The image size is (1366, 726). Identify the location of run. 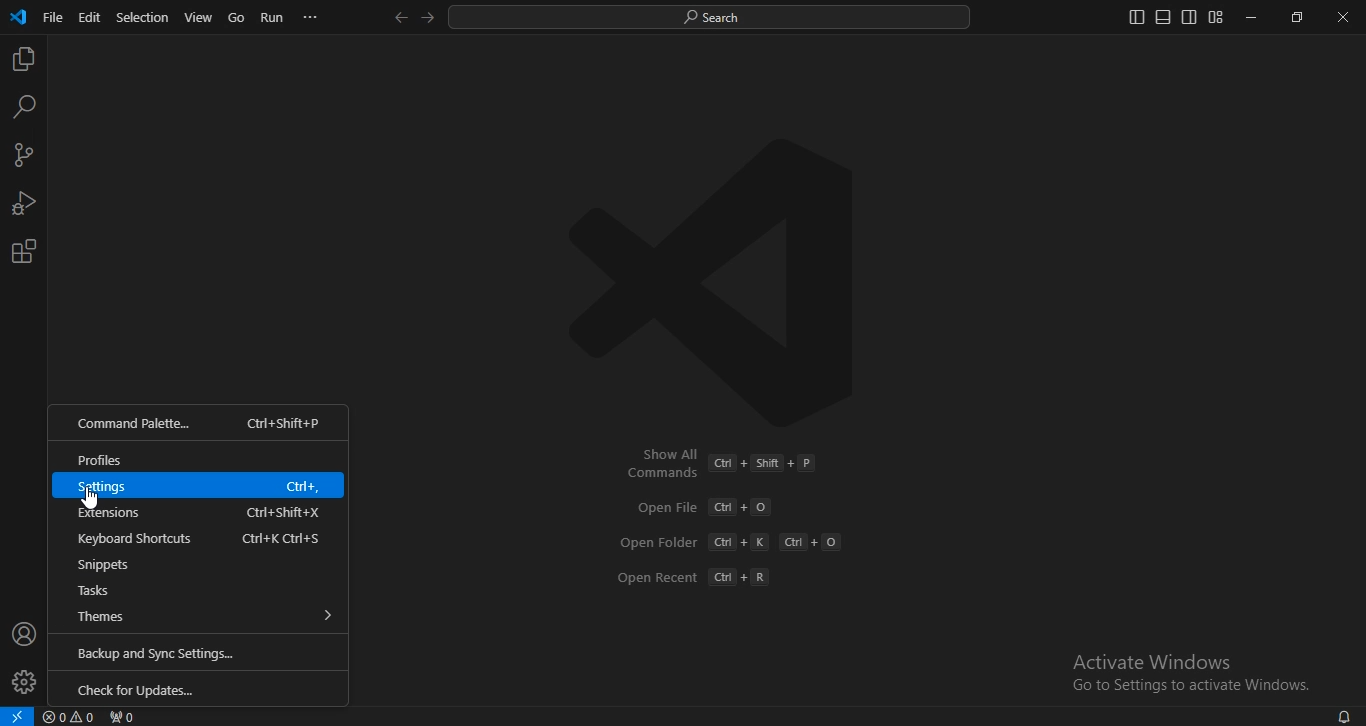
(273, 18).